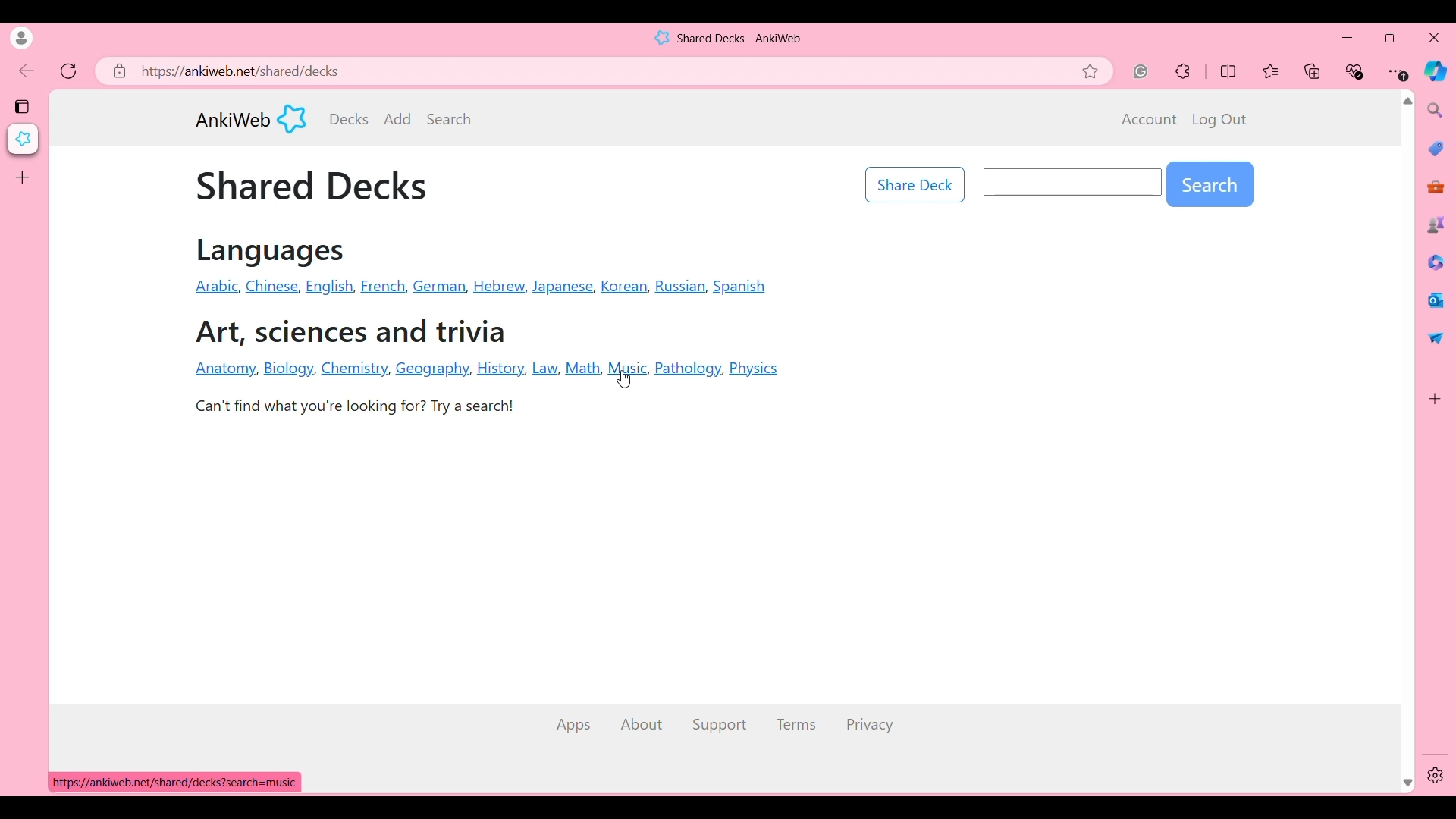  I want to click on Split screen, so click(1228, 71).